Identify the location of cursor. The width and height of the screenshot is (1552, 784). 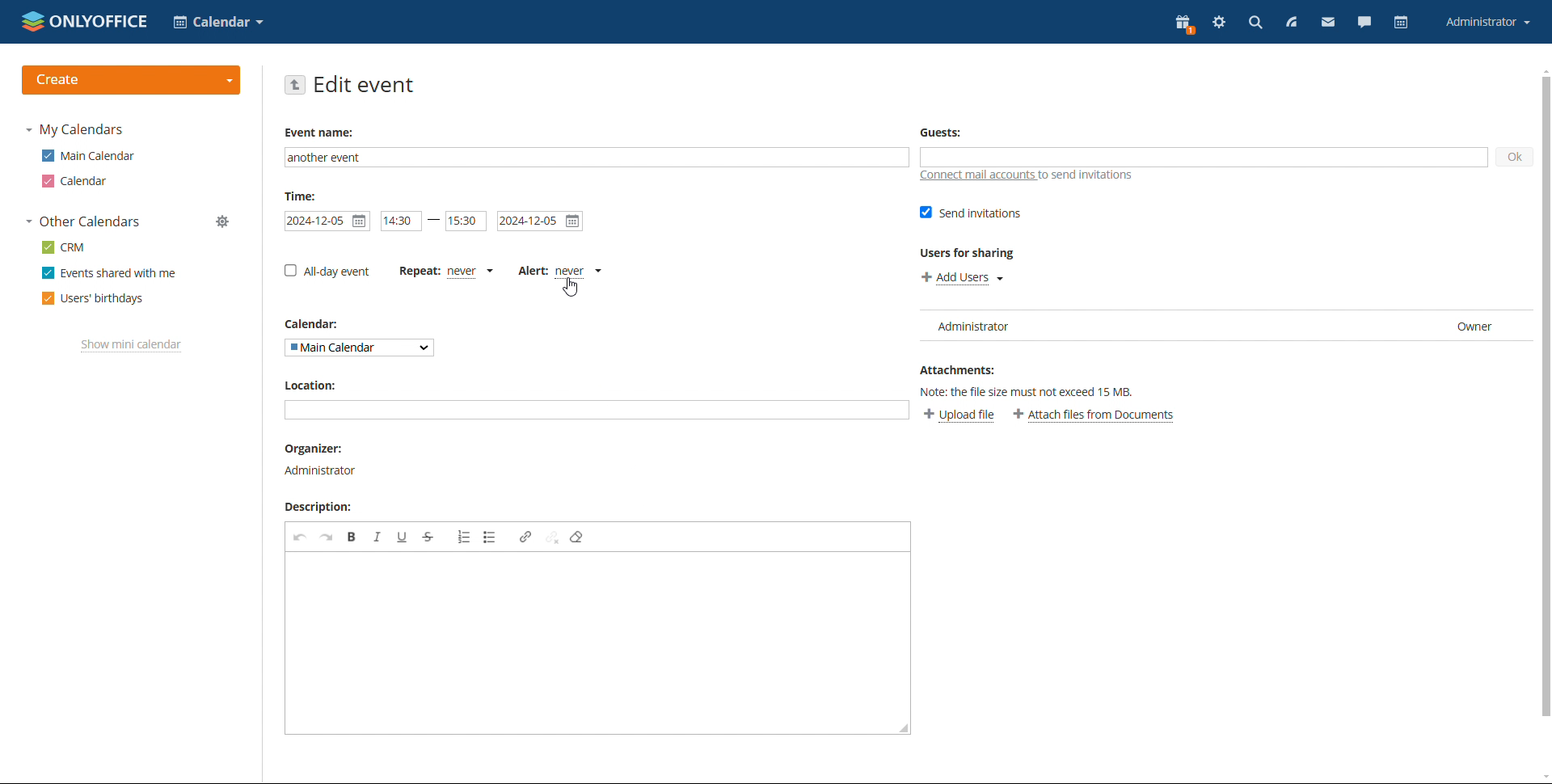
(572, 289).